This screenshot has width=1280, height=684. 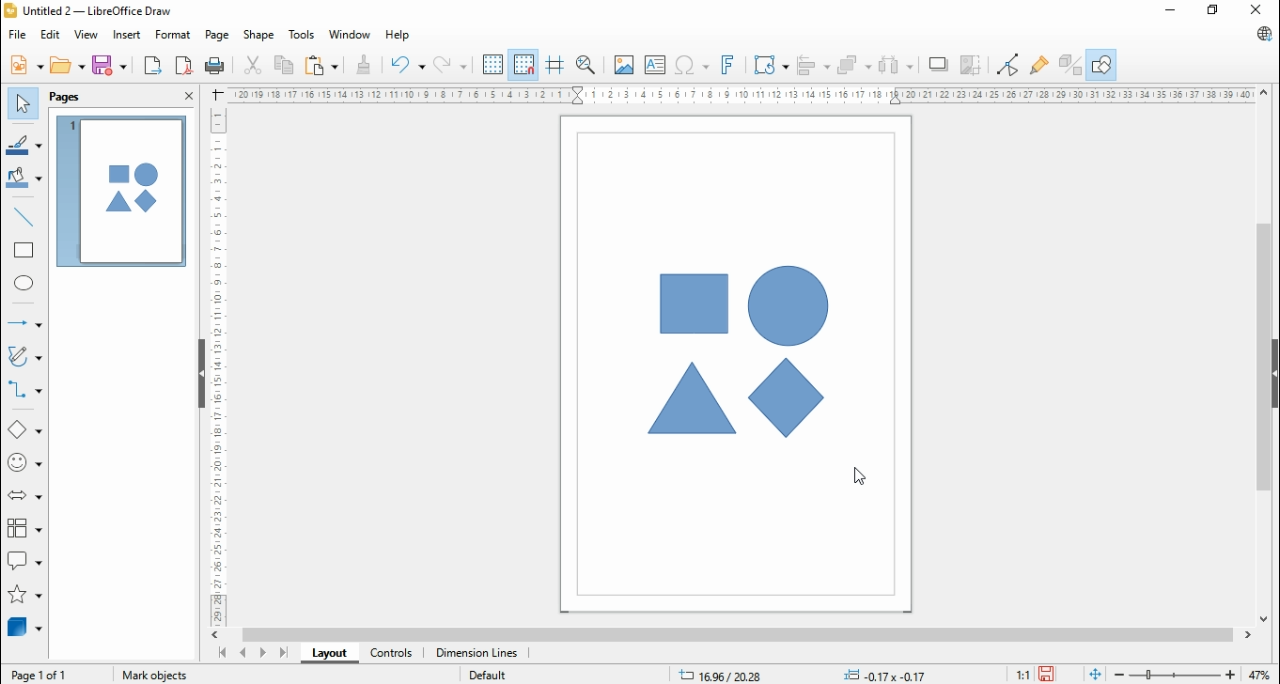 What do you see at coordinates (729, 64) in the screenshot?
I see `insert fontwork text` at bounding box center [729, 64].